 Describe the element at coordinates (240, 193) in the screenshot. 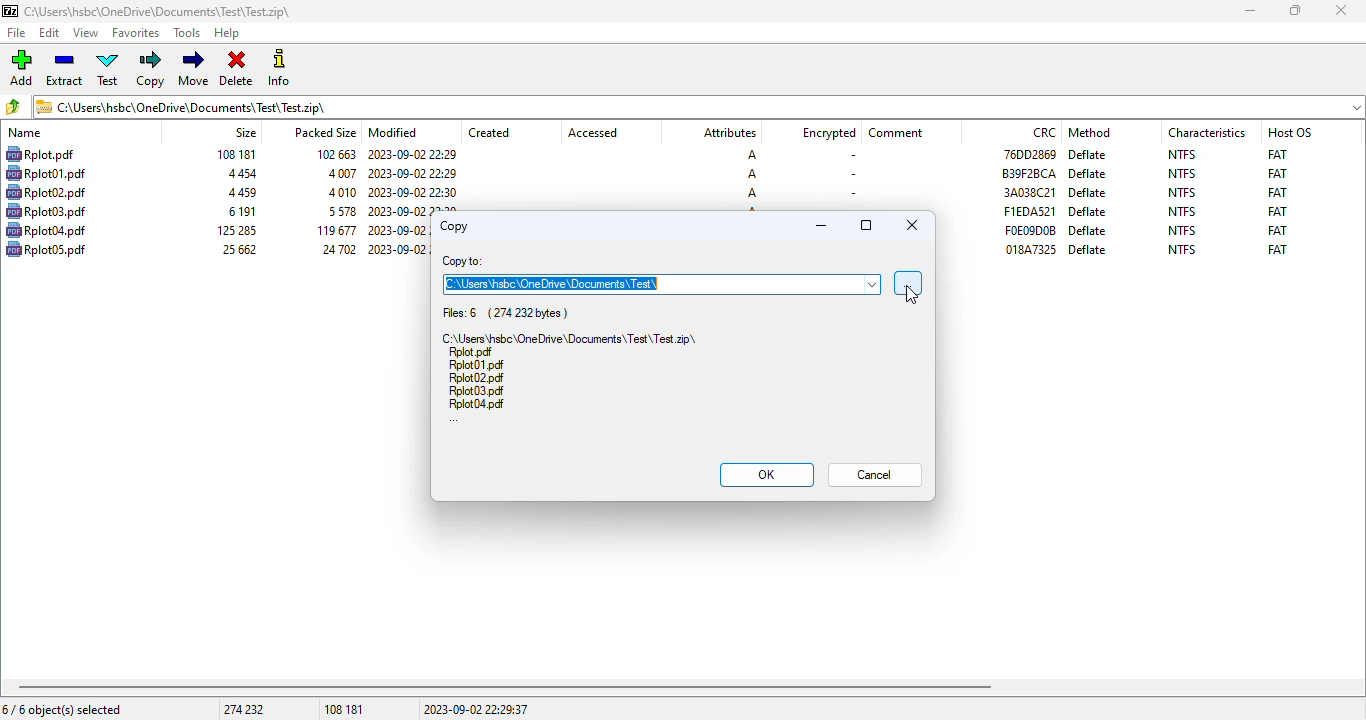

I see `size` at that location.